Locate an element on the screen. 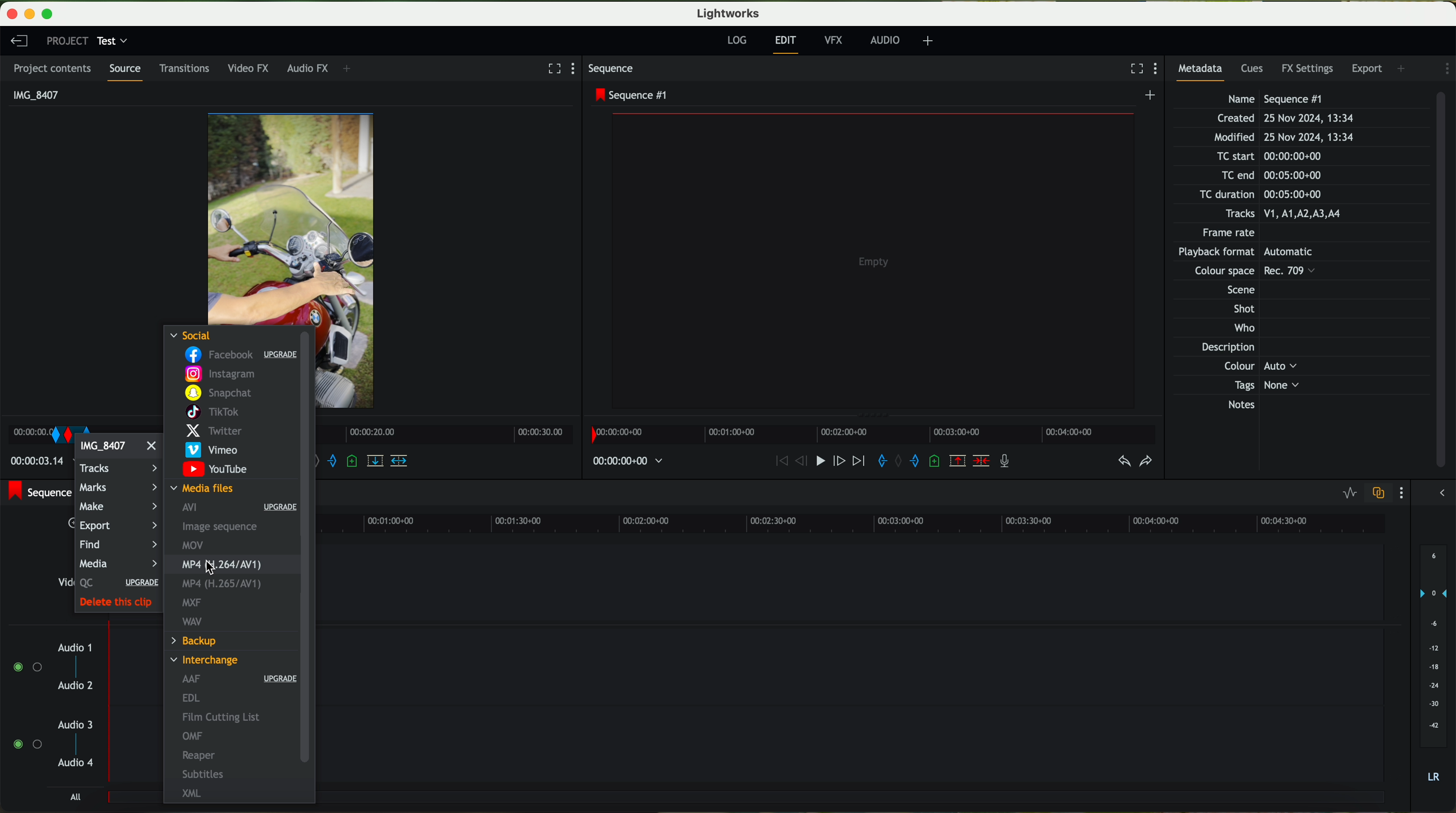  VFX is located at coordinates (836, 42).